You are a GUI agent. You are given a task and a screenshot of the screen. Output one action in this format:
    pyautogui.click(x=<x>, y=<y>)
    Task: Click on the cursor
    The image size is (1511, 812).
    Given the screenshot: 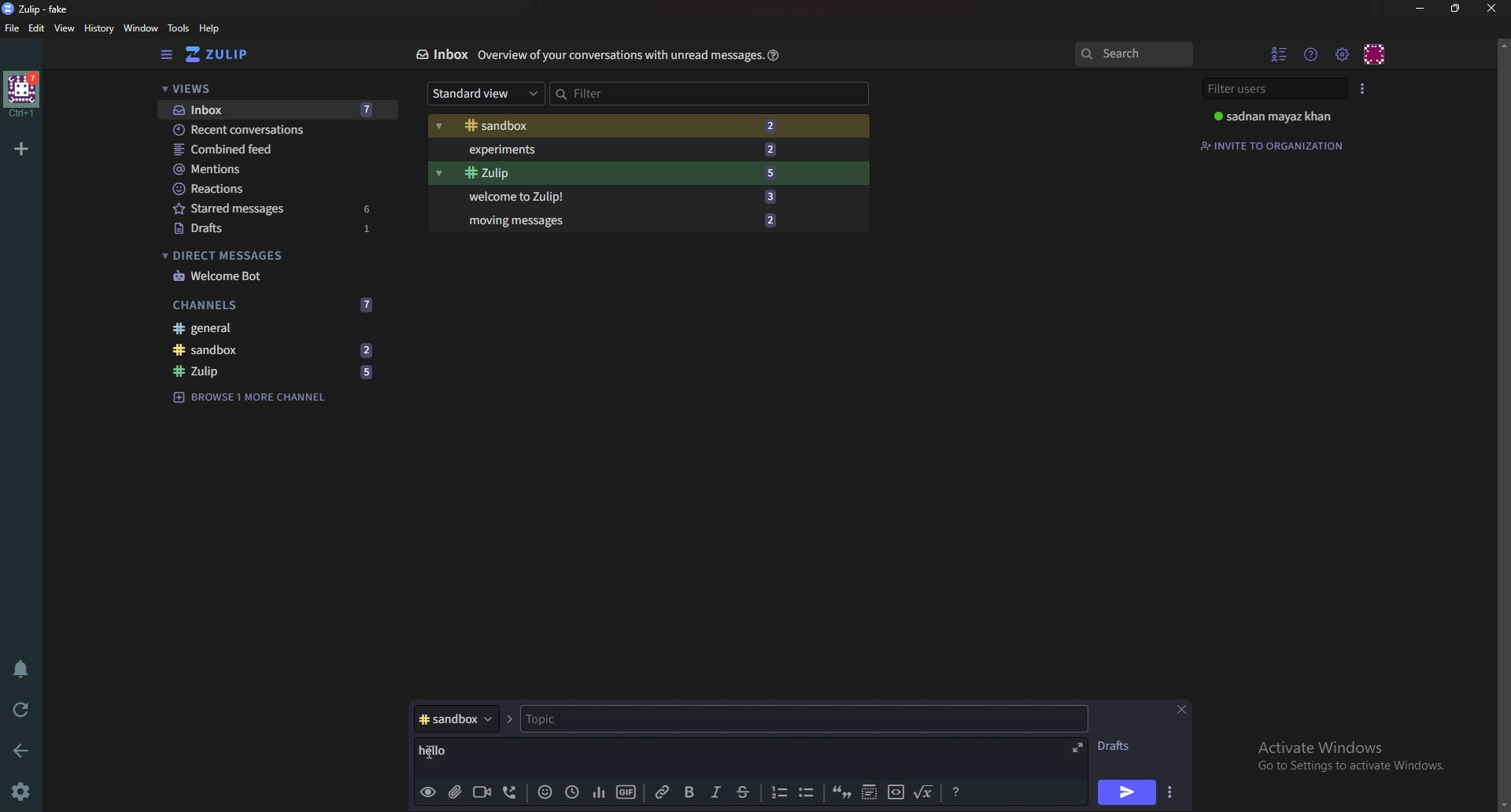 What is the action you would take?
    pyautogui.click(x=430, y=751)
    